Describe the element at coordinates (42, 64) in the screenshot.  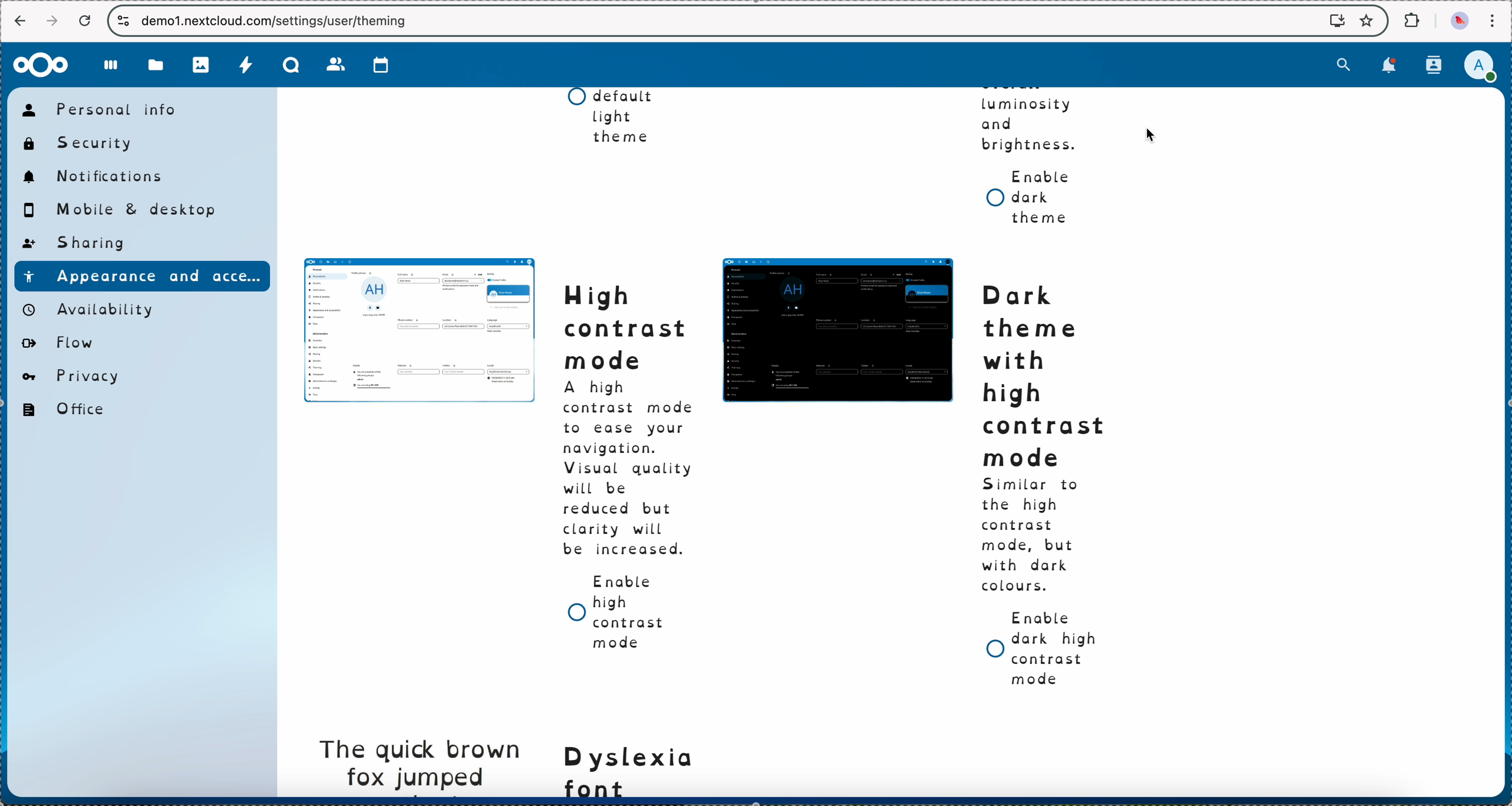
I see `Nextcloud logo` at that location.